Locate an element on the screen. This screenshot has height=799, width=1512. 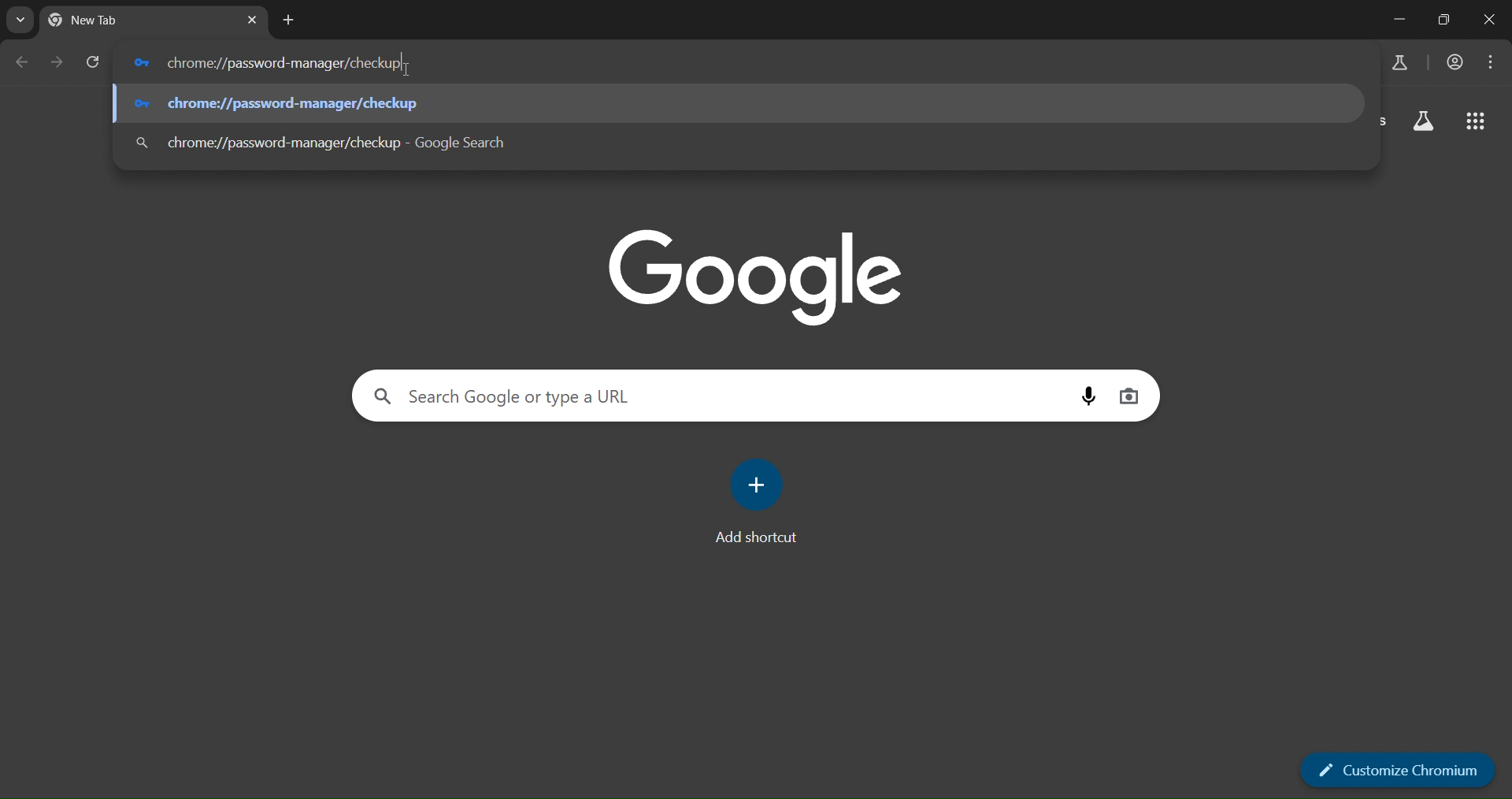
close tab is located at coordinates (254, 20).